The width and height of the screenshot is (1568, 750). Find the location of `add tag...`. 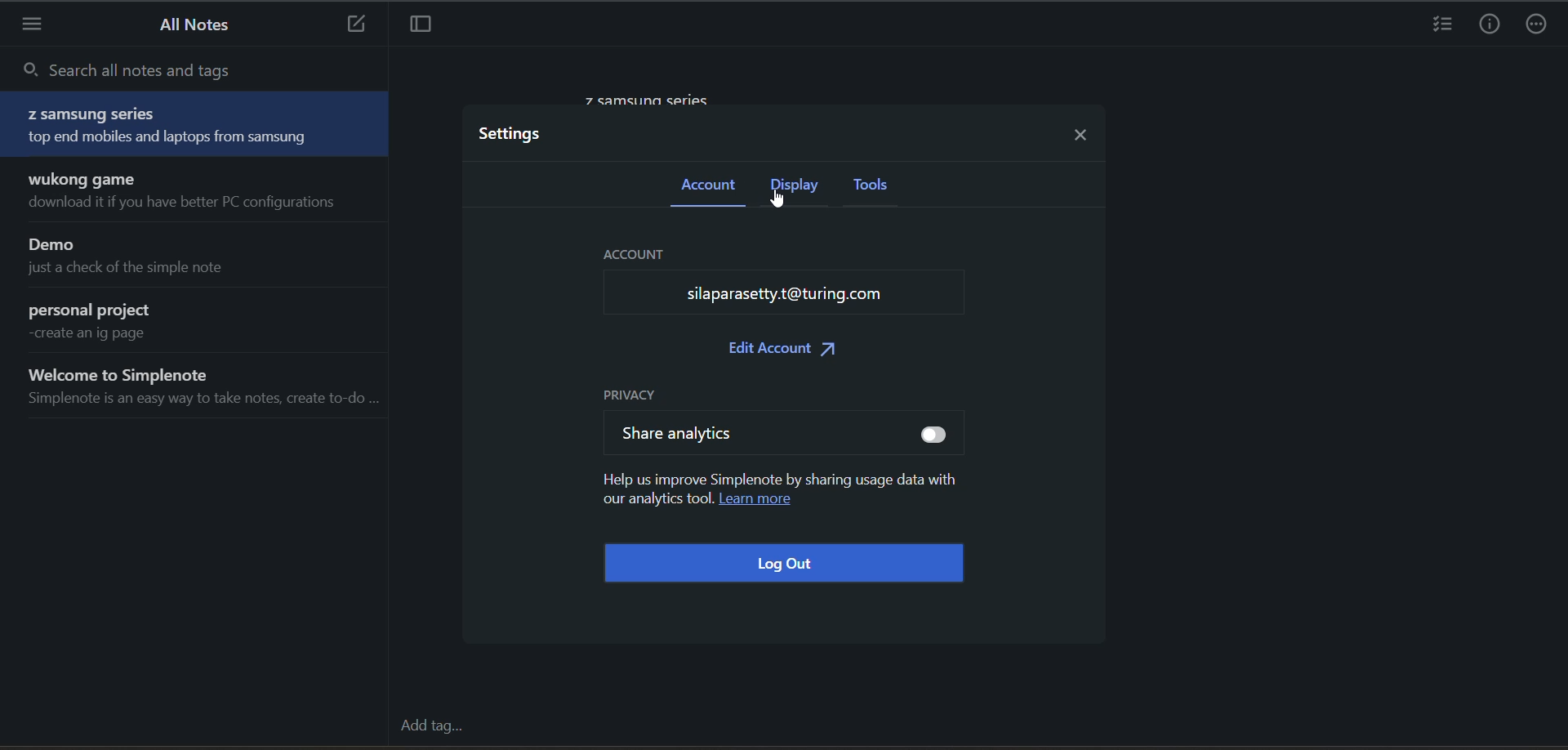

add tag... is located at coordinates (431, 726).